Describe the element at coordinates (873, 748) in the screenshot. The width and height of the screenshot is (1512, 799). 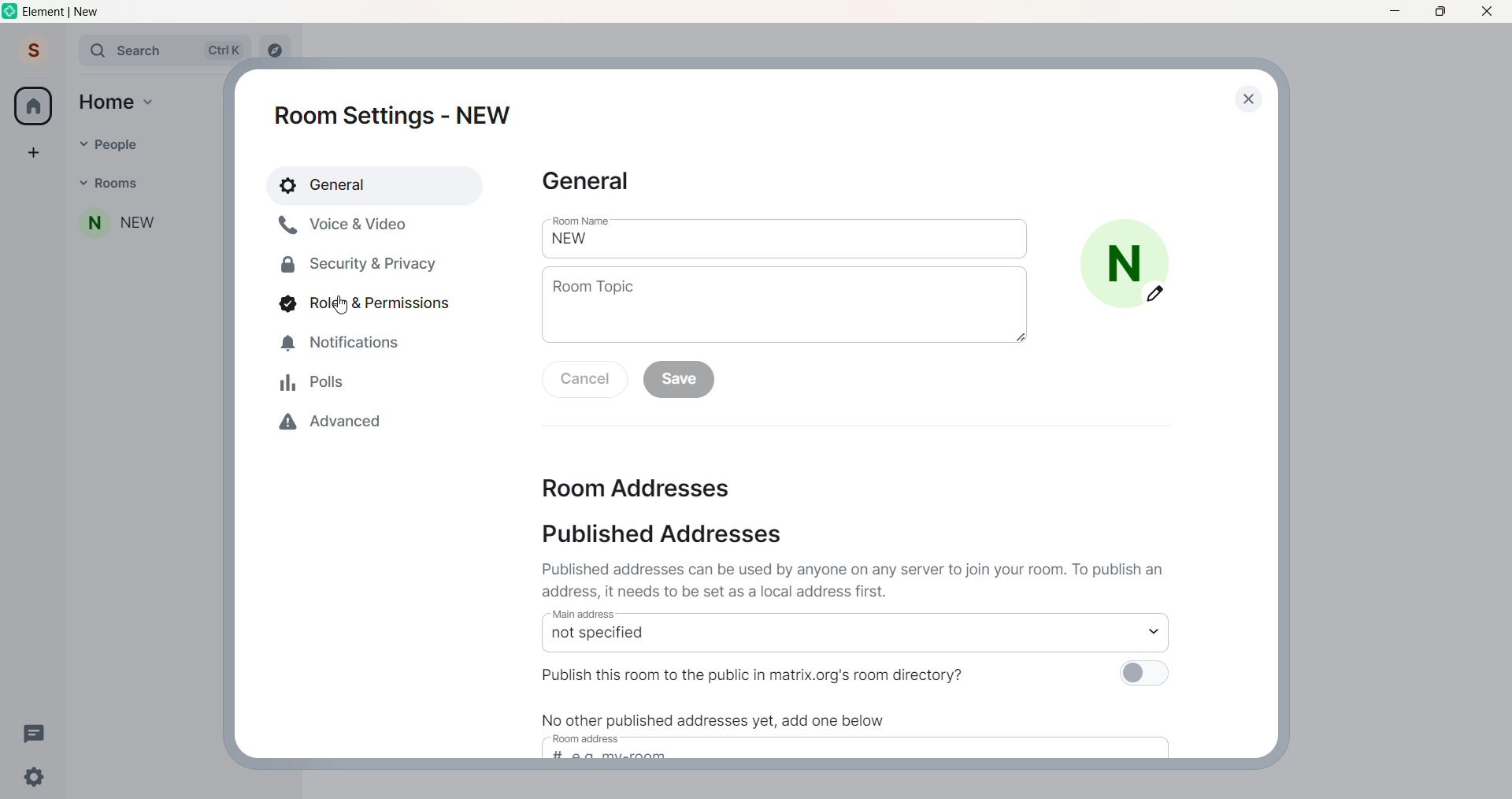
I see `room address` at that location.